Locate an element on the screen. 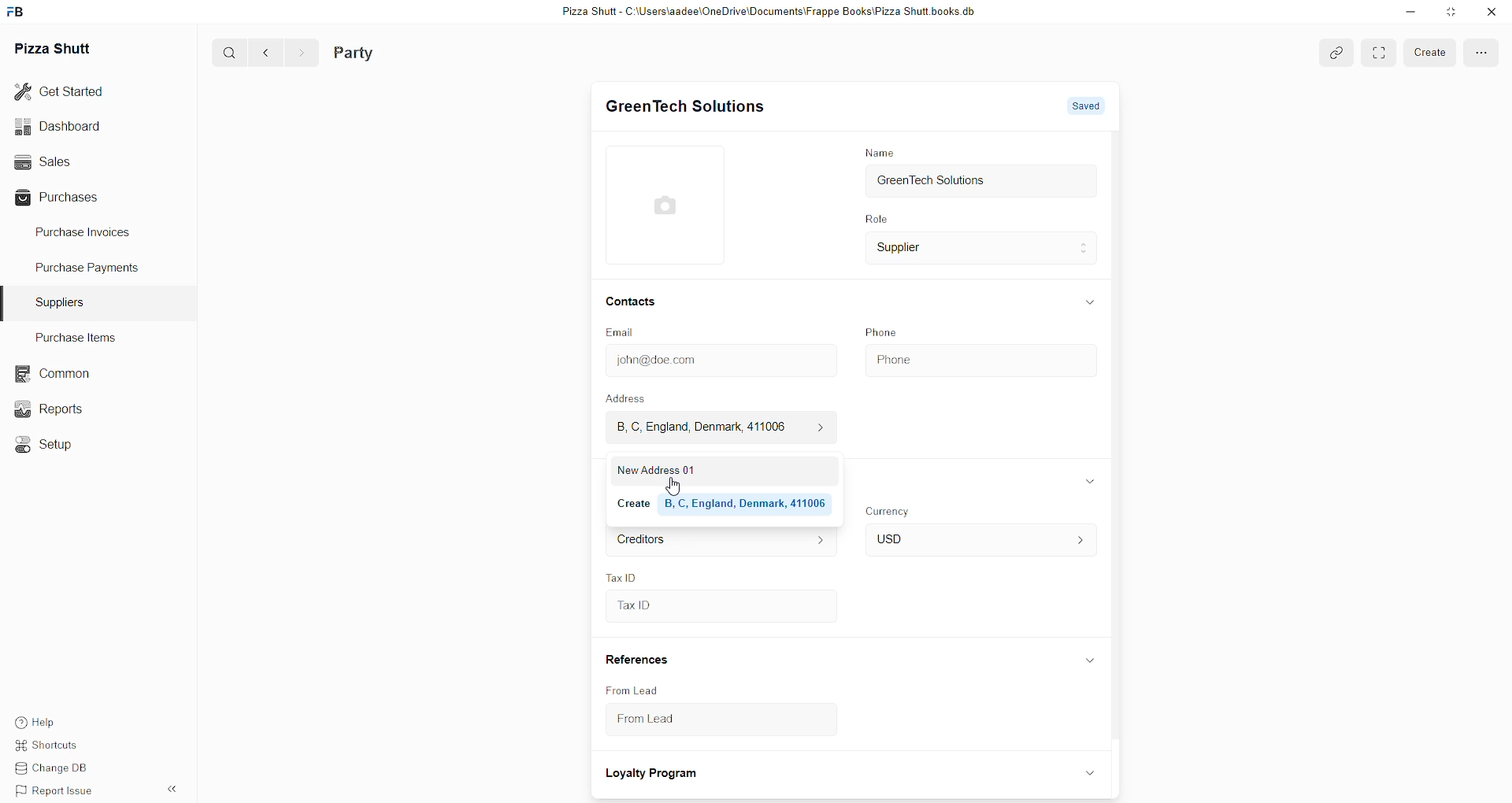  References is located at coordinates (637, 661).